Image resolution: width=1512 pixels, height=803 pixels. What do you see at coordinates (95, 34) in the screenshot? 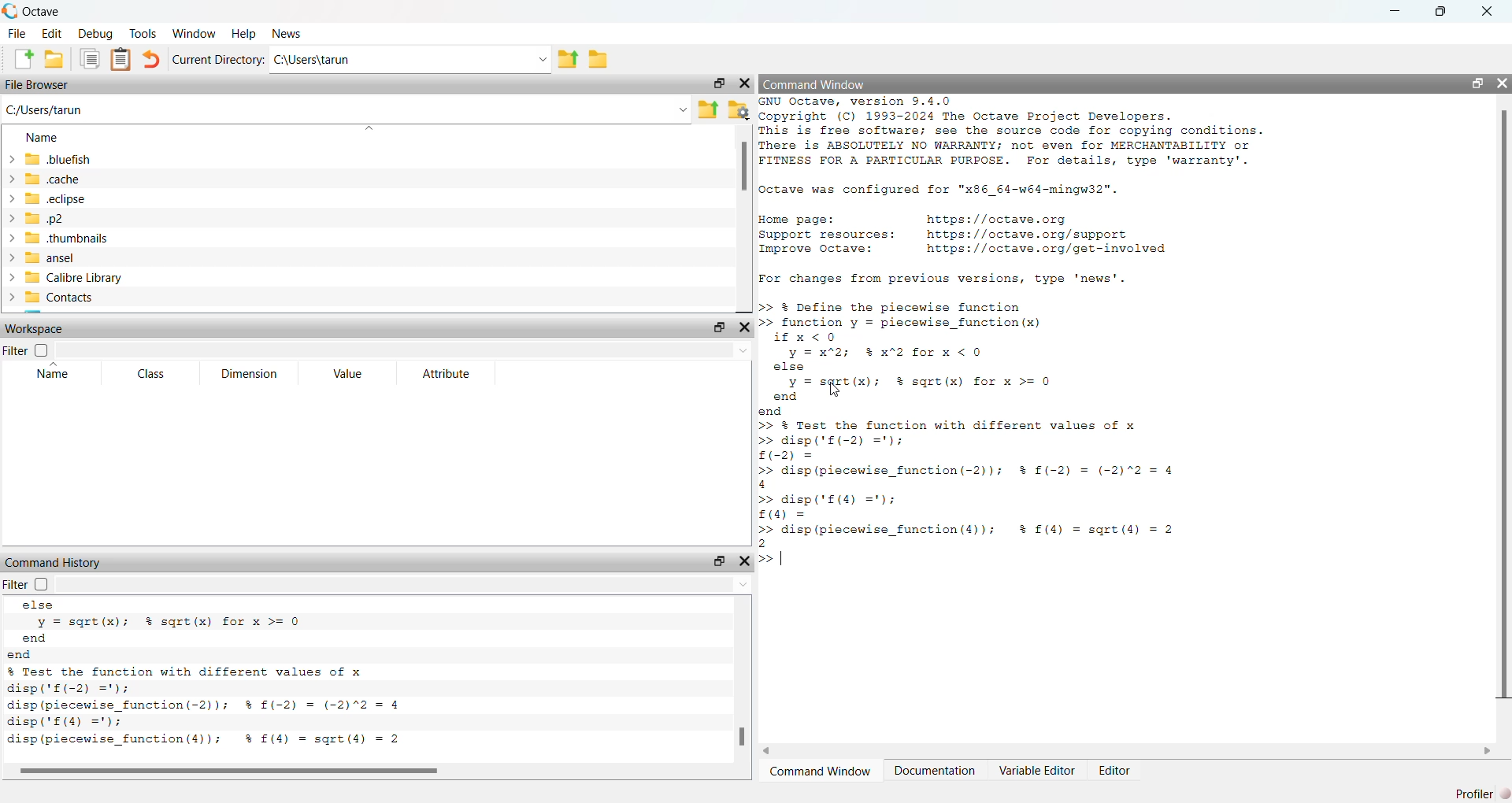
I see `Debug` at bounding box center [95, 34].